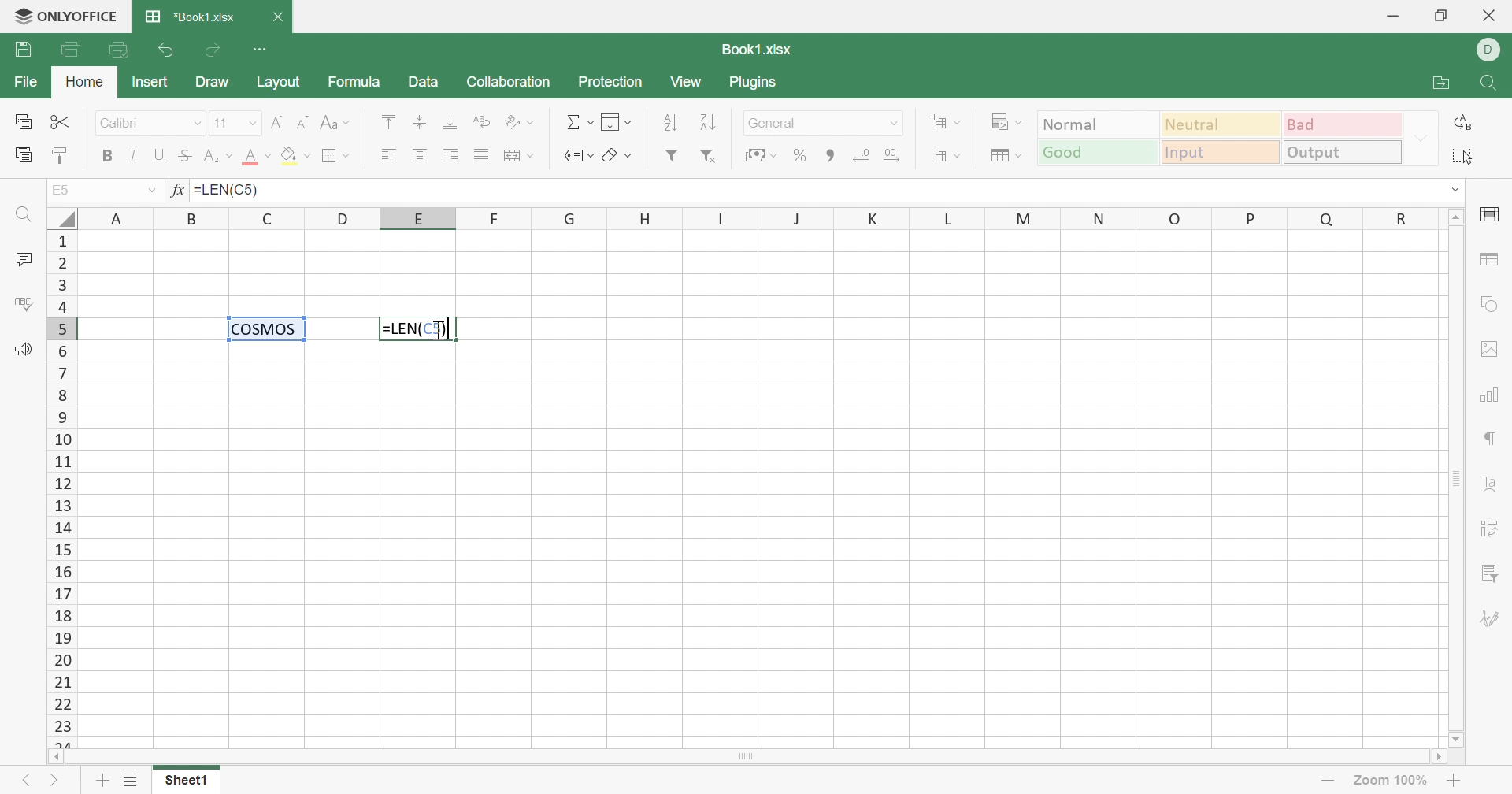  Describe the element at coordinates (161, 155) in the screenshot. I see `Underline` at that location.